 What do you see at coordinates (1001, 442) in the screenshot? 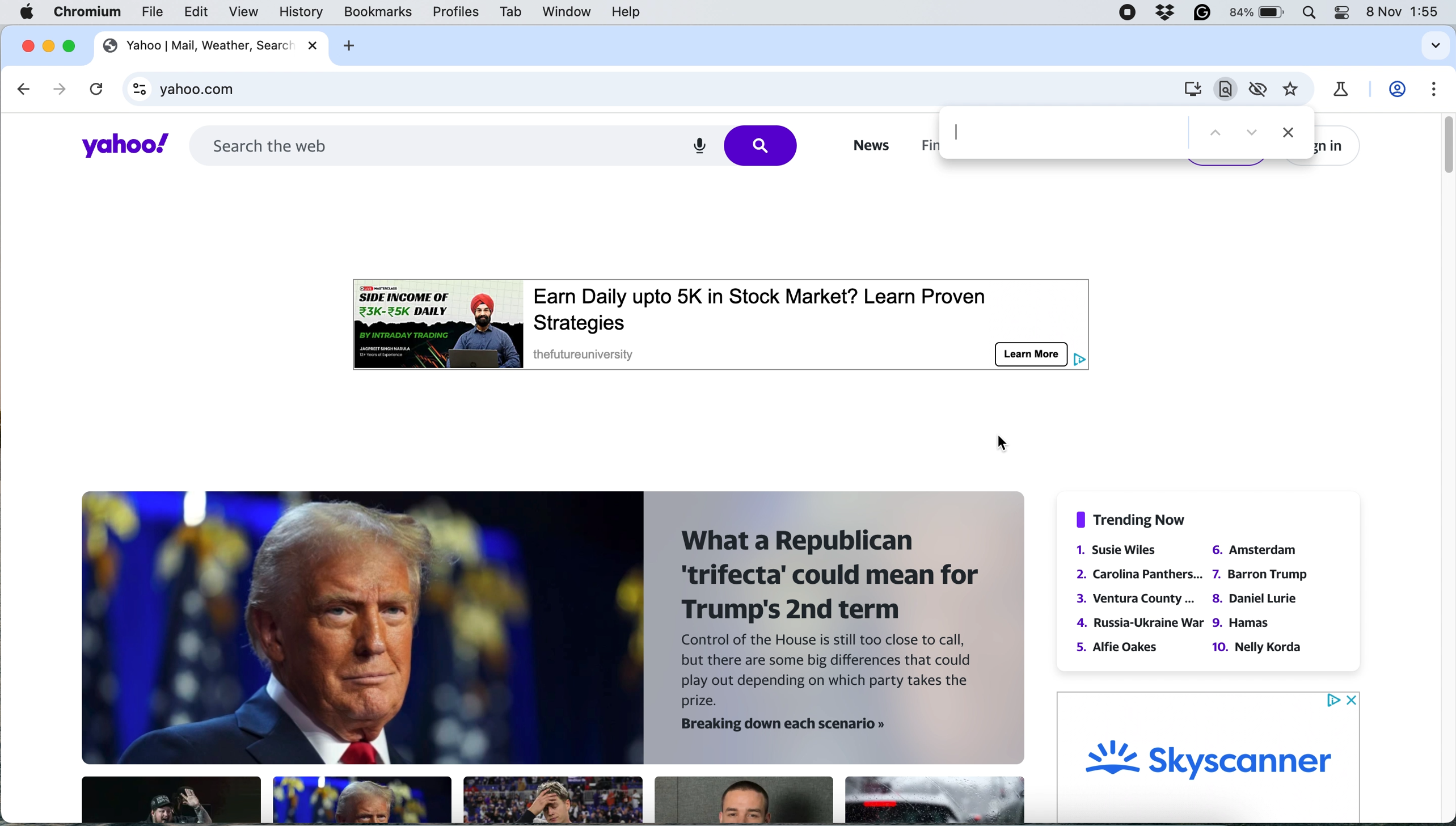
I see `cursor` at bounding box center [1001, 442].